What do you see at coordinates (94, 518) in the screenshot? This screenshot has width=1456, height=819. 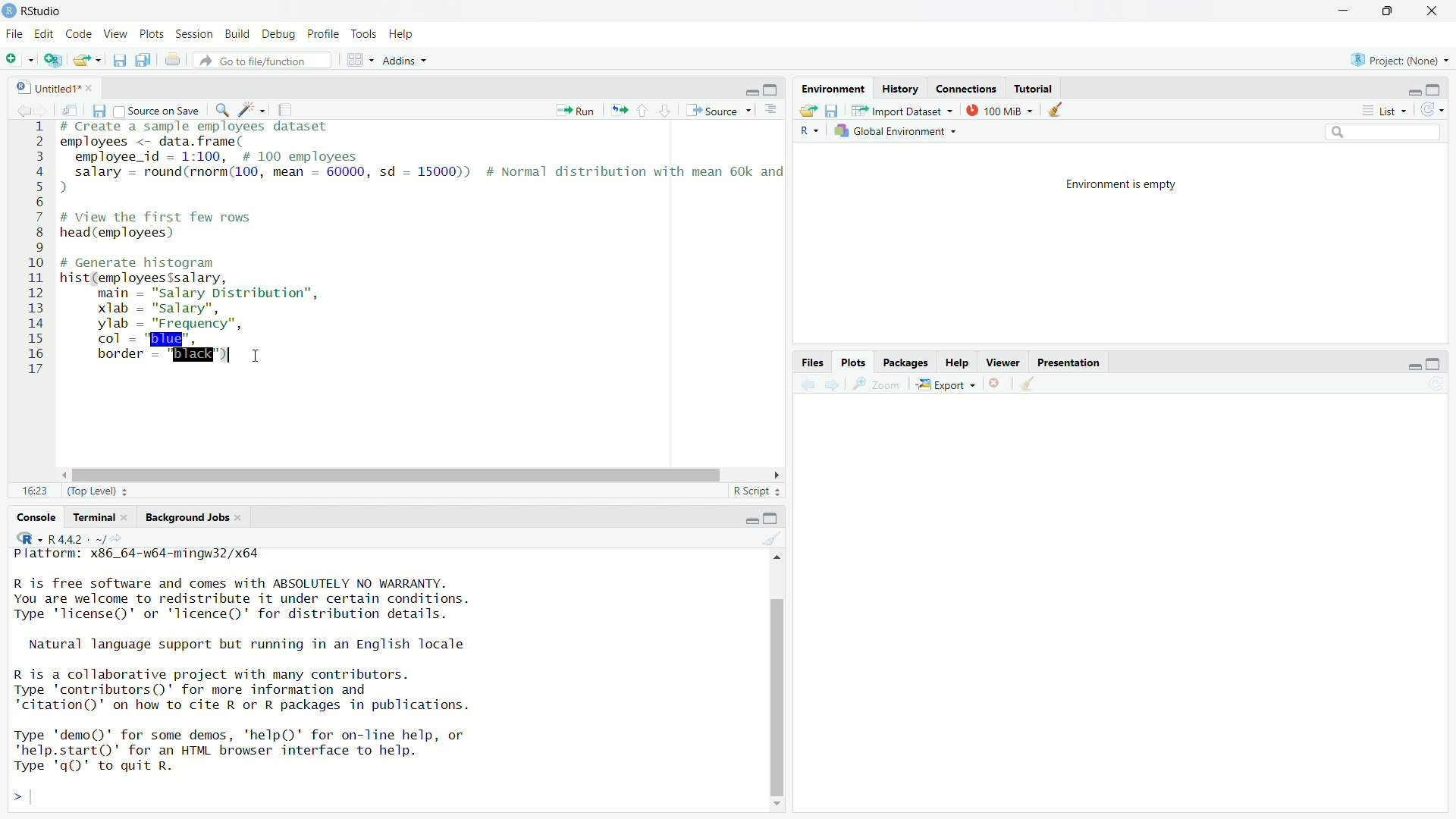 I see `Terminal` at bounding box center [94, 518].